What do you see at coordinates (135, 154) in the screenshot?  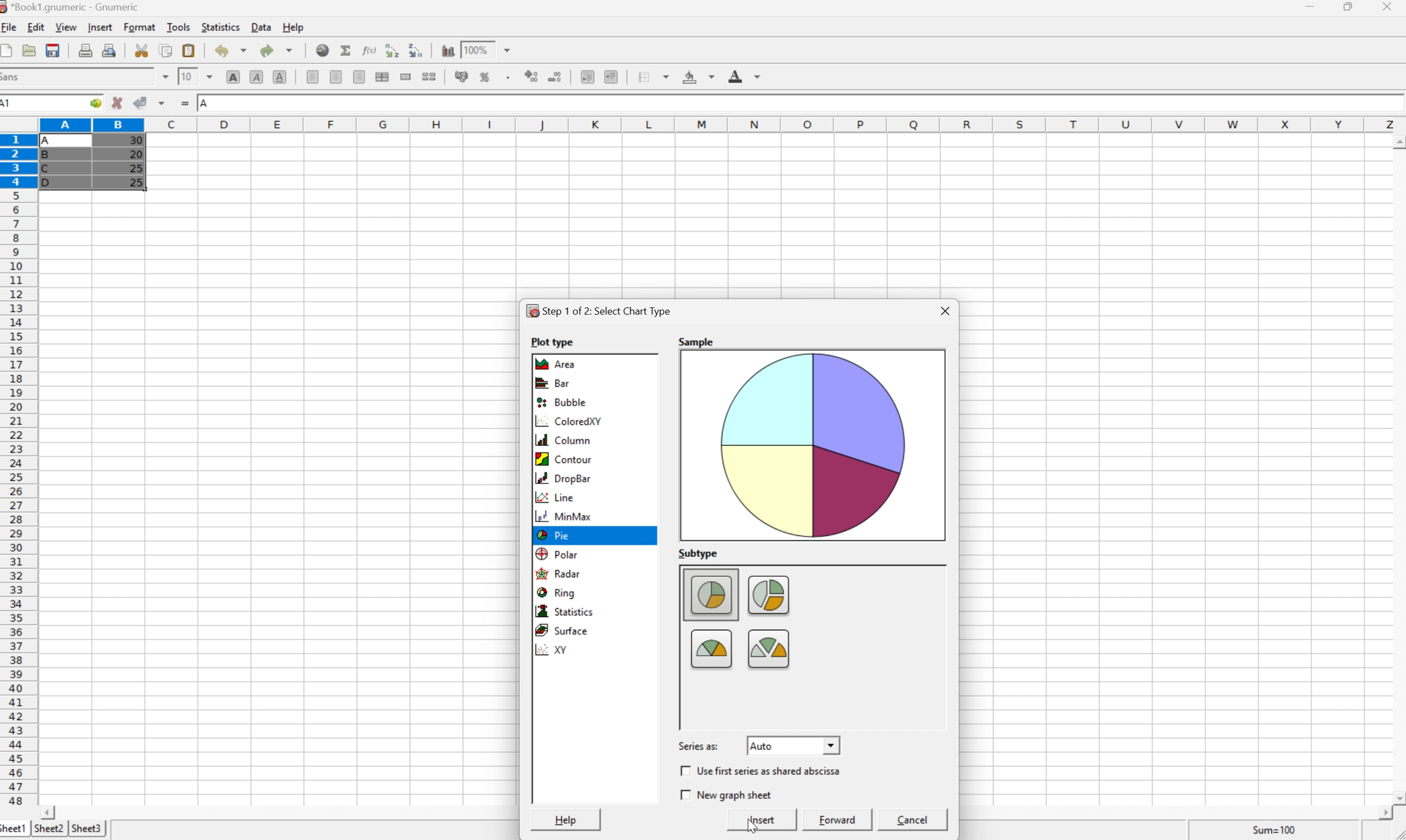 I see `20` at bounding box center [135, 154].